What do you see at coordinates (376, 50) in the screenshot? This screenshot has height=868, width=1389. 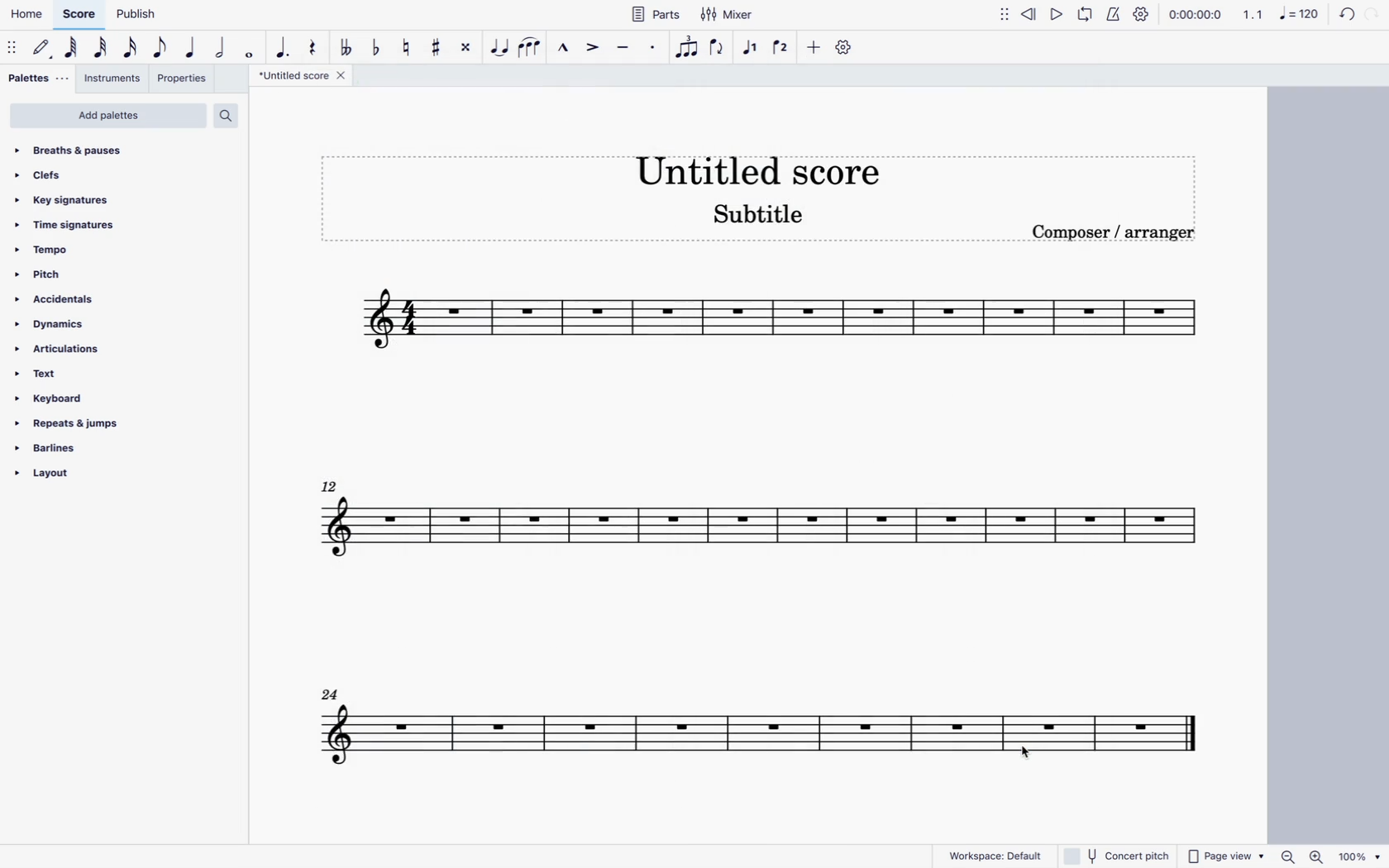 I see `toggle flat` at bounding box center [376, 50].